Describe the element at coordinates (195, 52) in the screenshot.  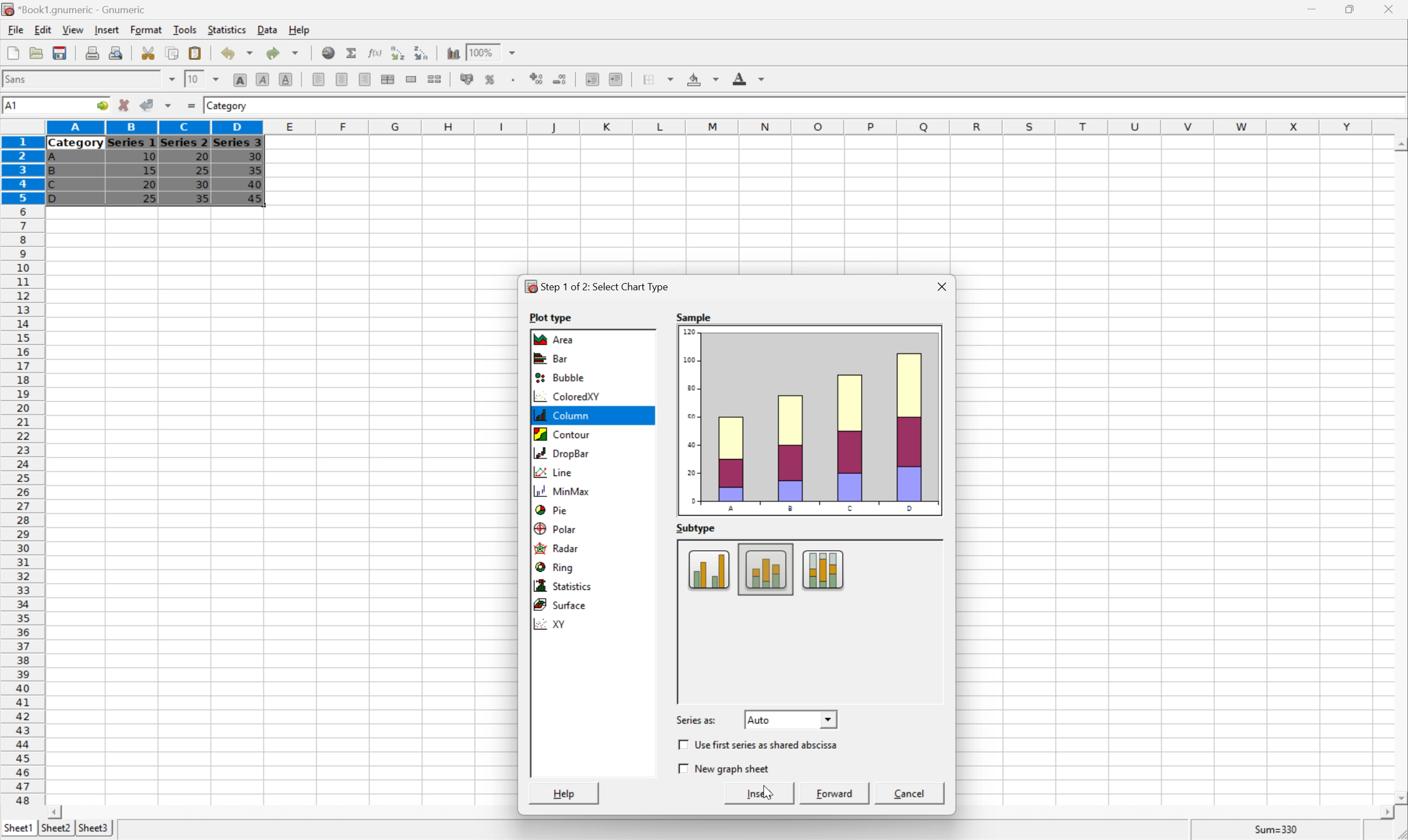
I see `Paste clipboard` at that location.